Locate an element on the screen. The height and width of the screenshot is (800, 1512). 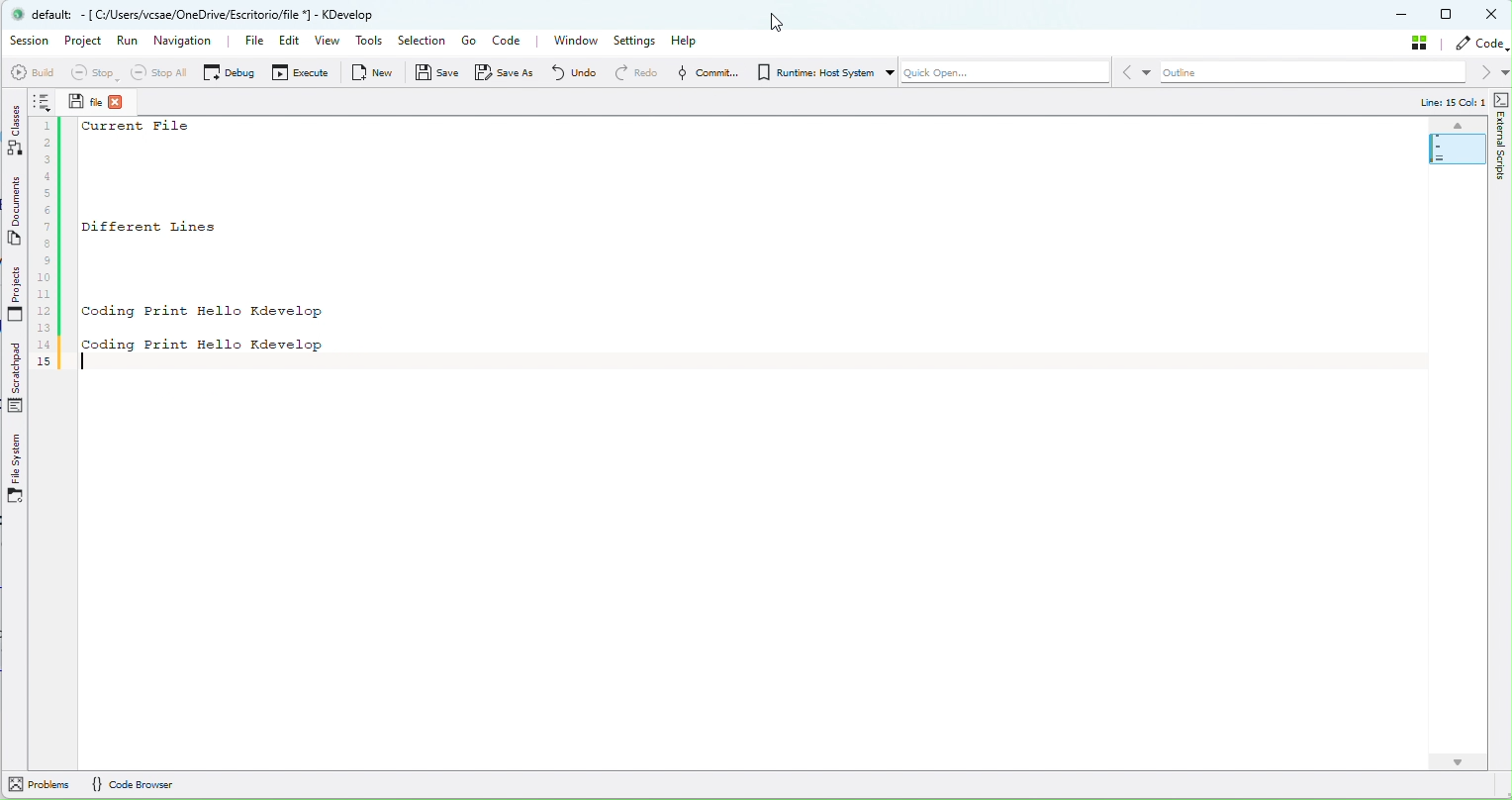
Go is located at coordinates (468, 41).